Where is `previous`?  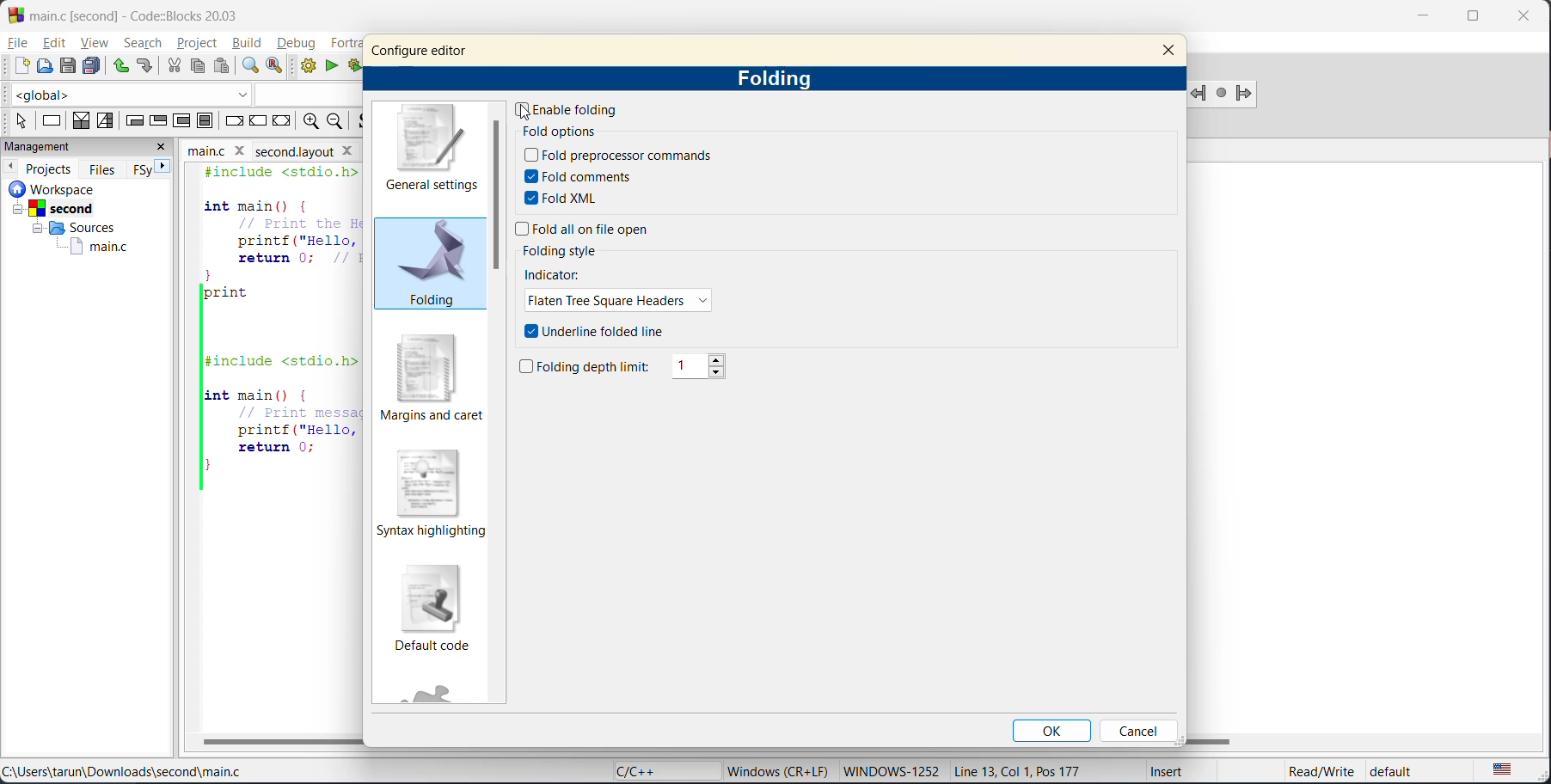
previous is located at coordinates (10, 166).